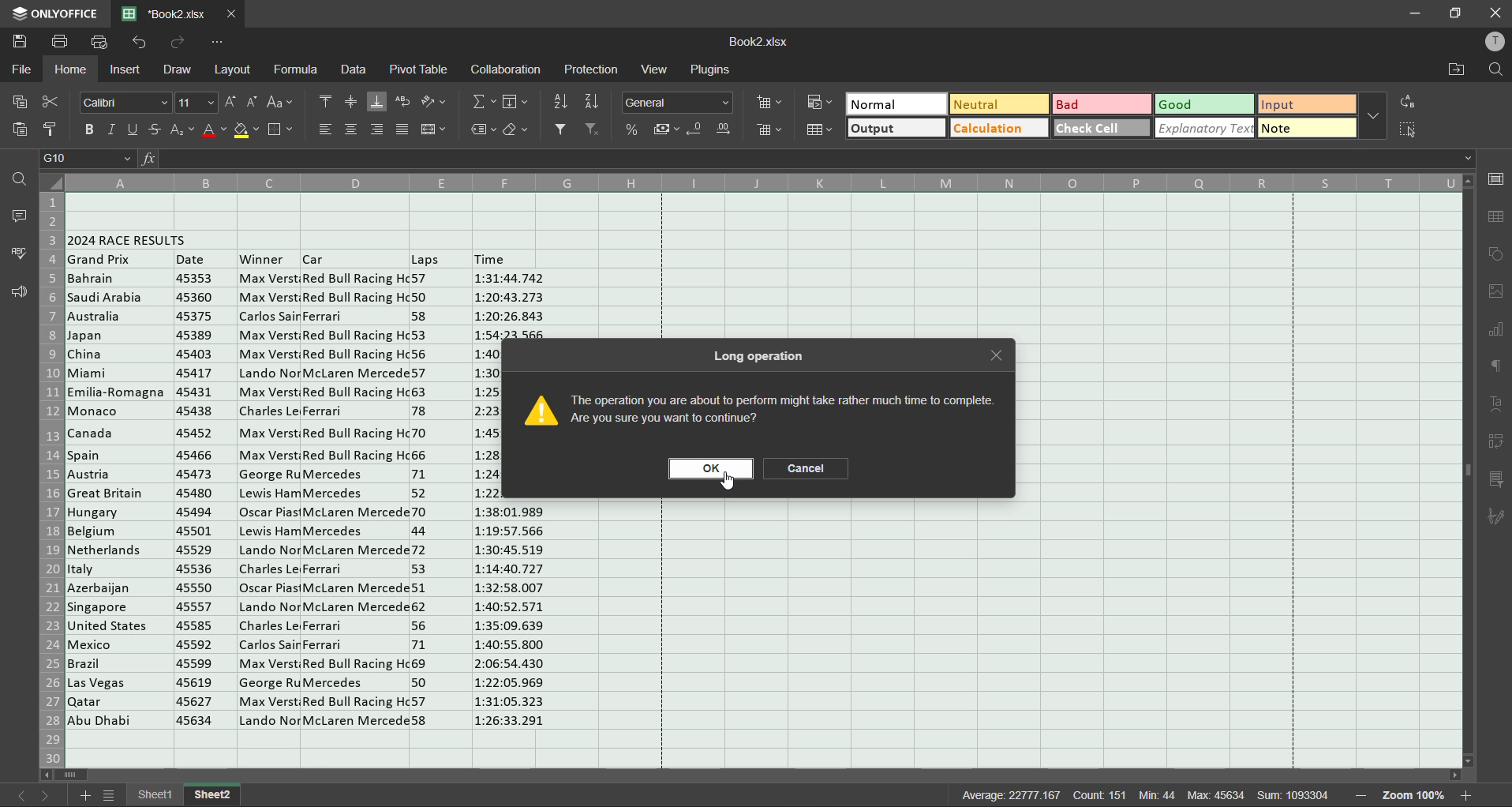 This screenshot has width=1512, height=807. What do you see at coordinates (378, 130) in the screenshot?
I see `align right` at bounding box center [378, 130].